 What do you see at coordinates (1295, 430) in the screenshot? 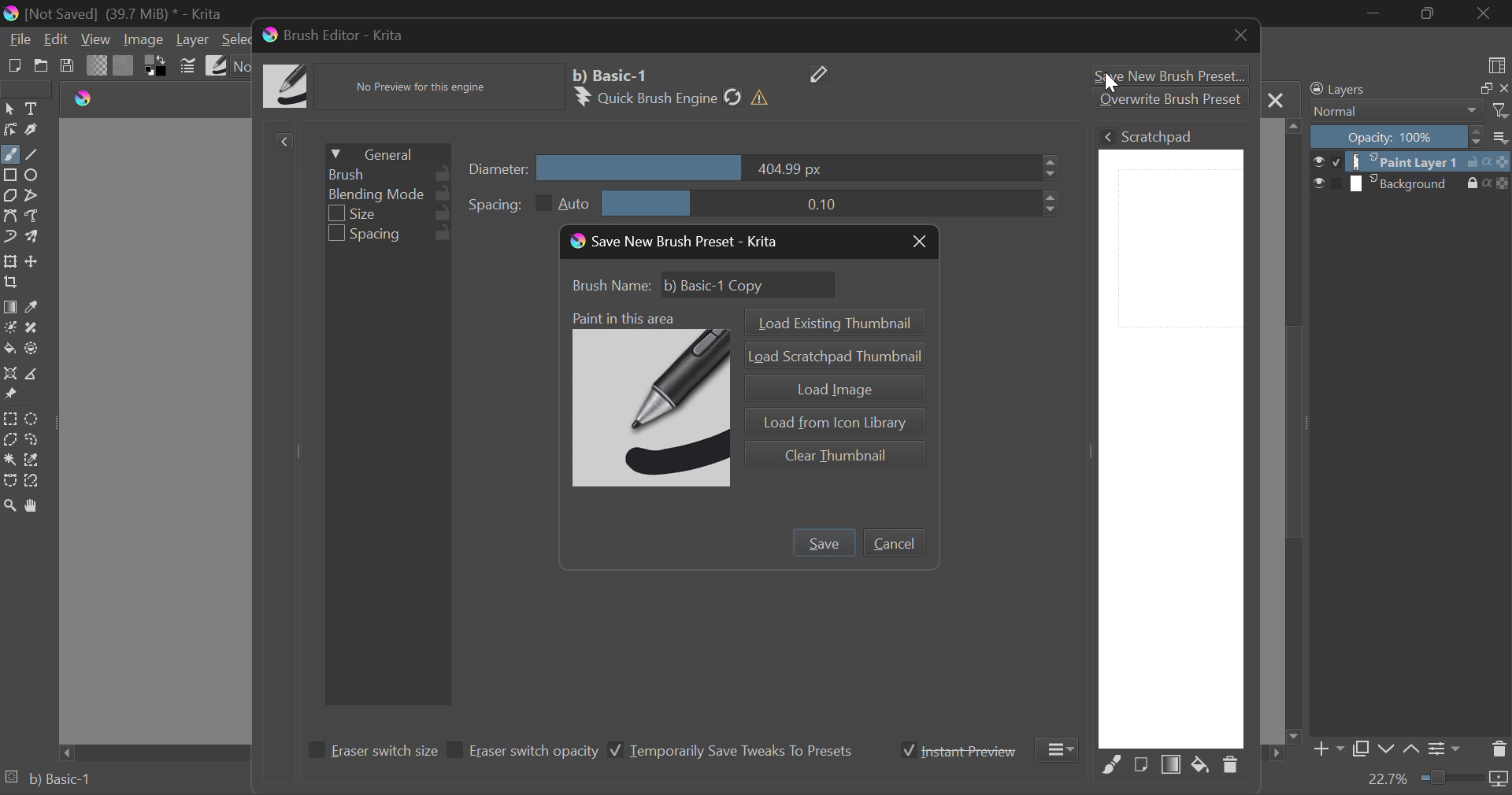
I see `Scroll Bar` at bounding box center [1295, 430].